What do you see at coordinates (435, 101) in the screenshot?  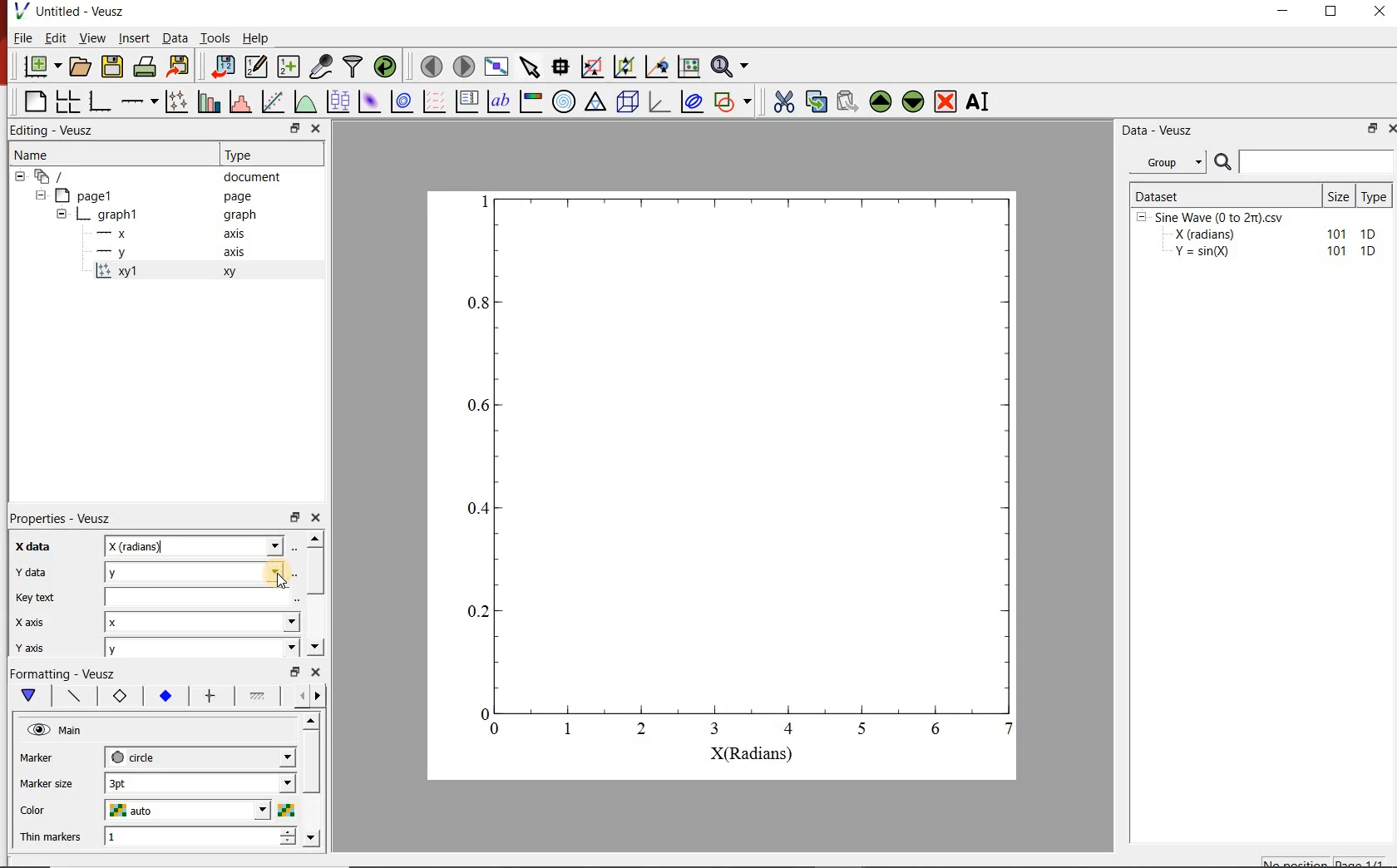 I see `plot a vector field` at bounding box center [435, 101].